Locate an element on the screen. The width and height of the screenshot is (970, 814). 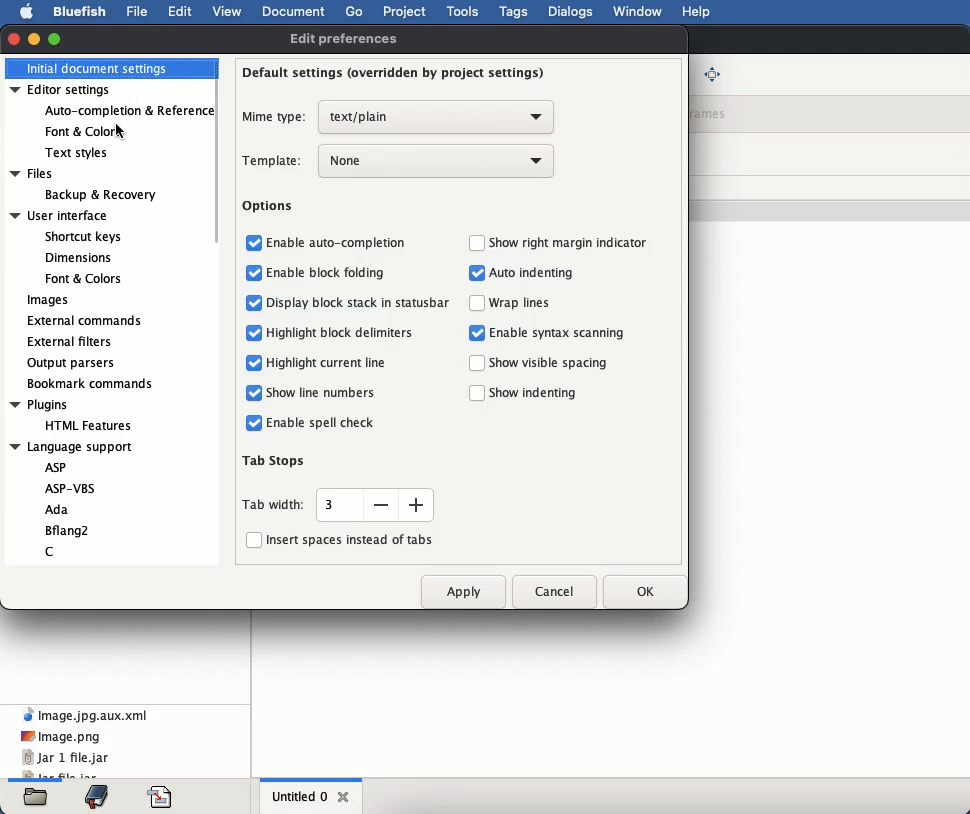
options is located at coordinates (269, 207).